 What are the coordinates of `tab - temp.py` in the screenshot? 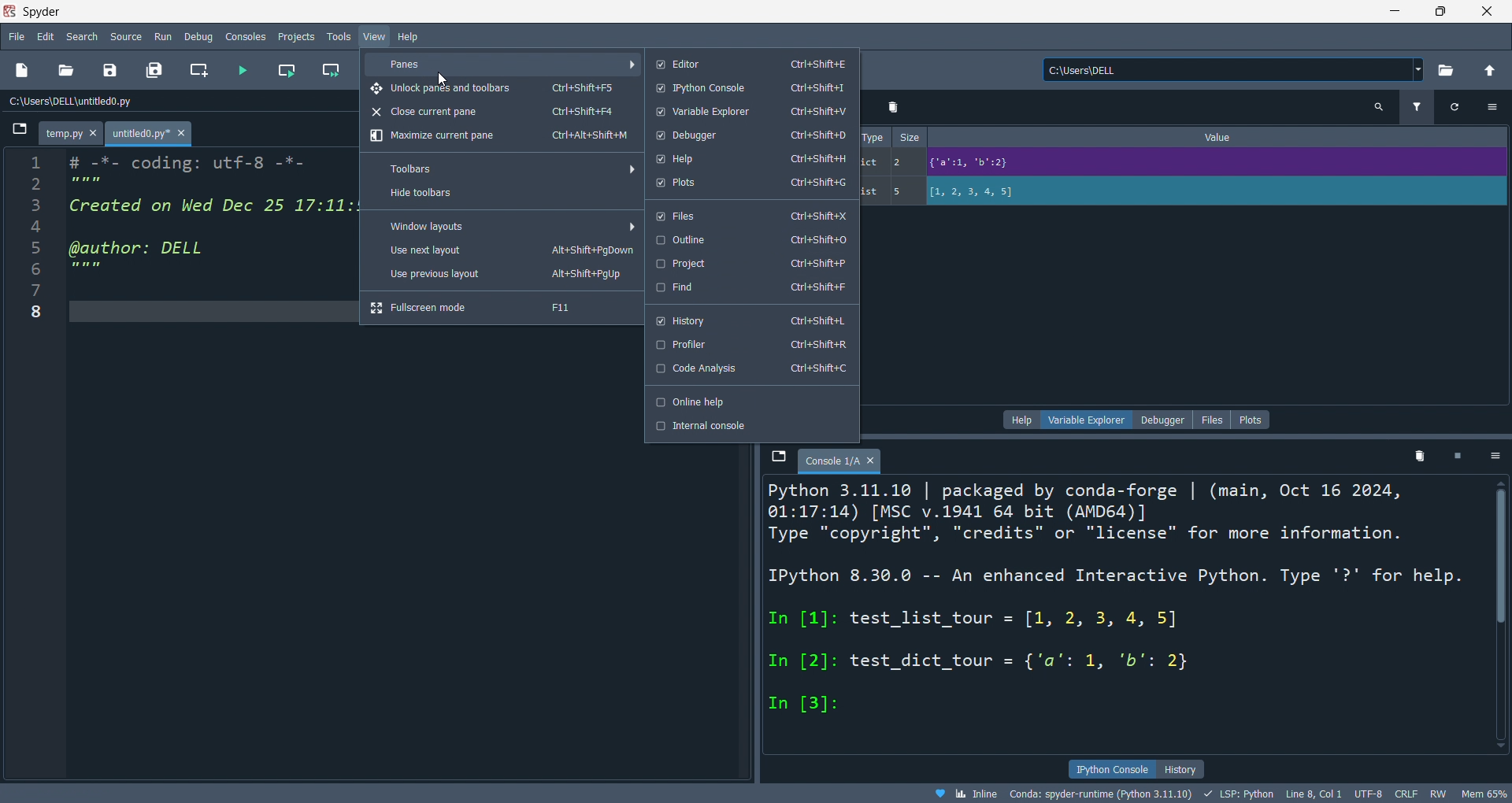 It's located at (70, 134).